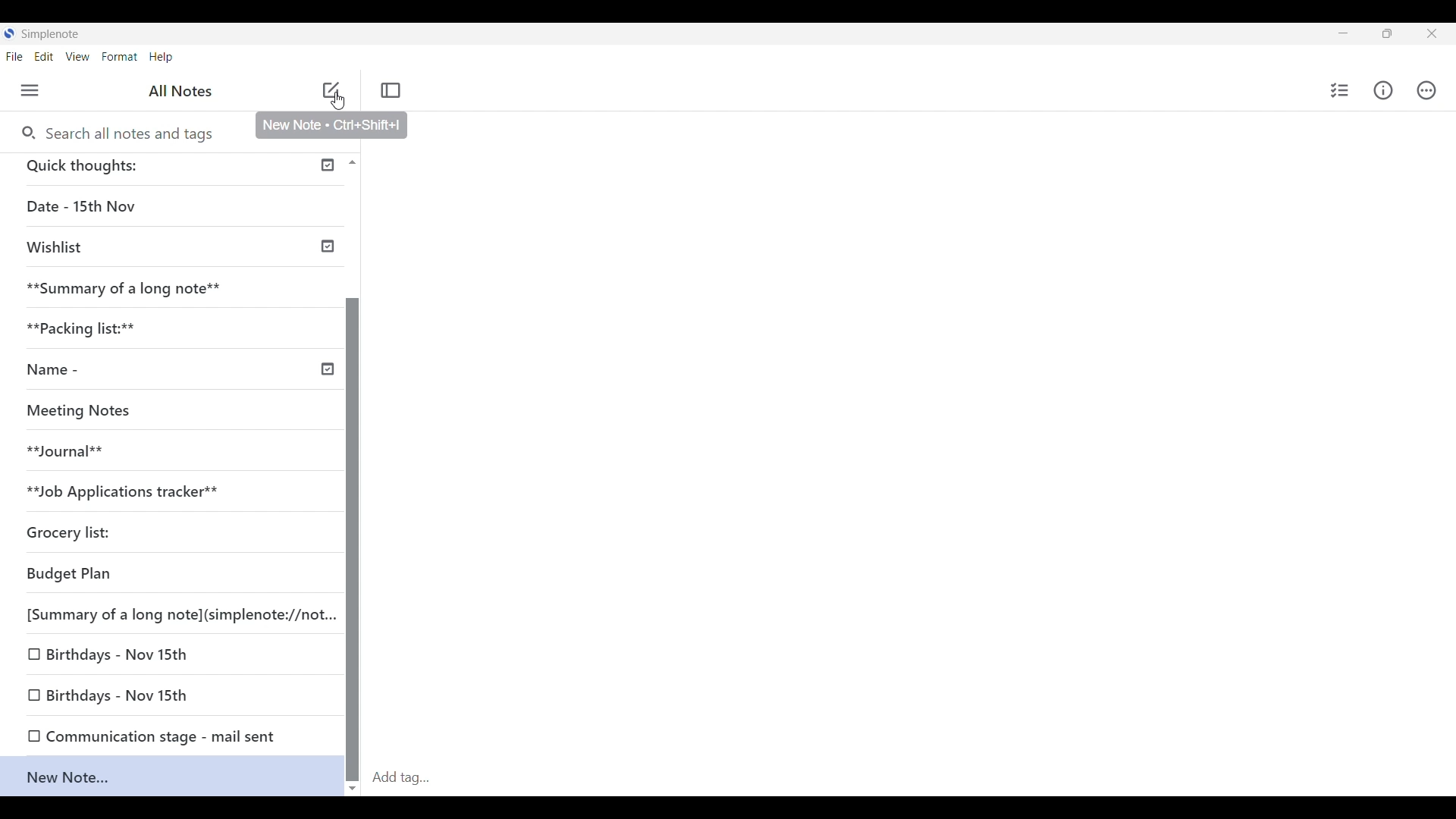 The width and height of the screenshot is (1456, 819). I want to click on [Summary of a long note](simplenote://not..., so click(177, 613).